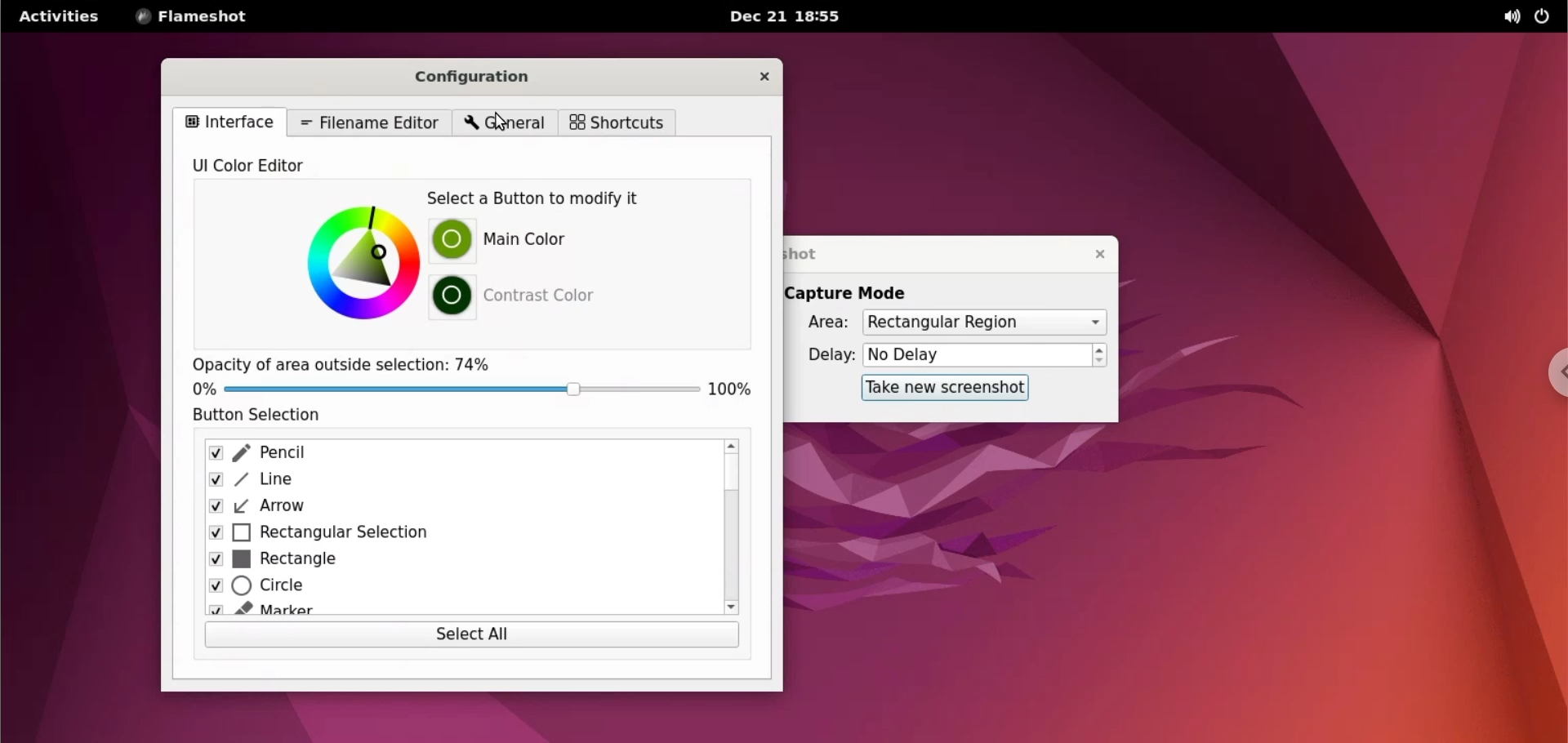 The width and height of the screenshot is (1568, 743). What do you see at coordinates (504, 118) in the screenshot?
I see `cursor` at bounding box center [504, 118].